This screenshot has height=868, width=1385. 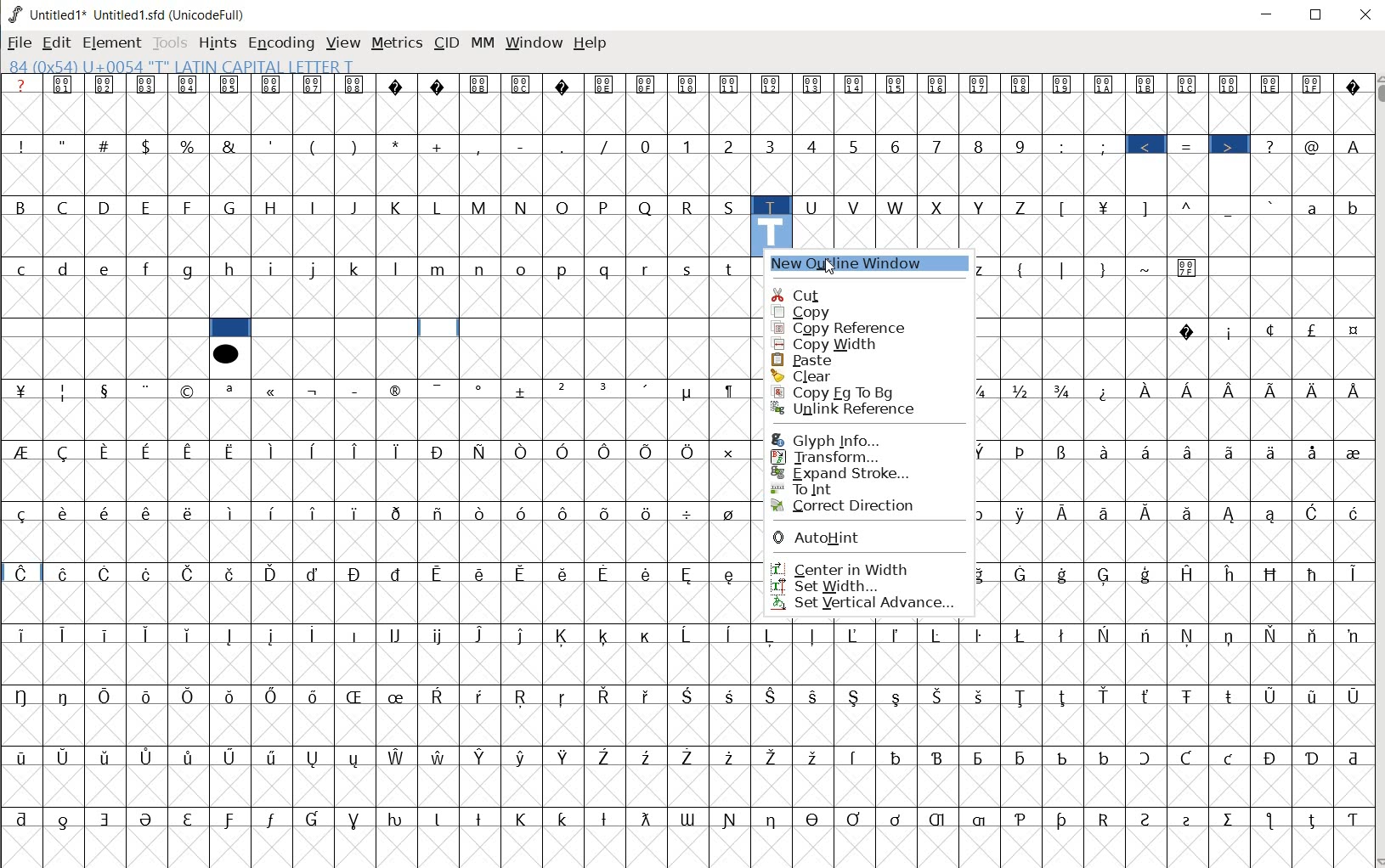 What do you see at coordinates (690, 573) in the screenshot?
I see `Symbol` at bounding box center [690, 573].